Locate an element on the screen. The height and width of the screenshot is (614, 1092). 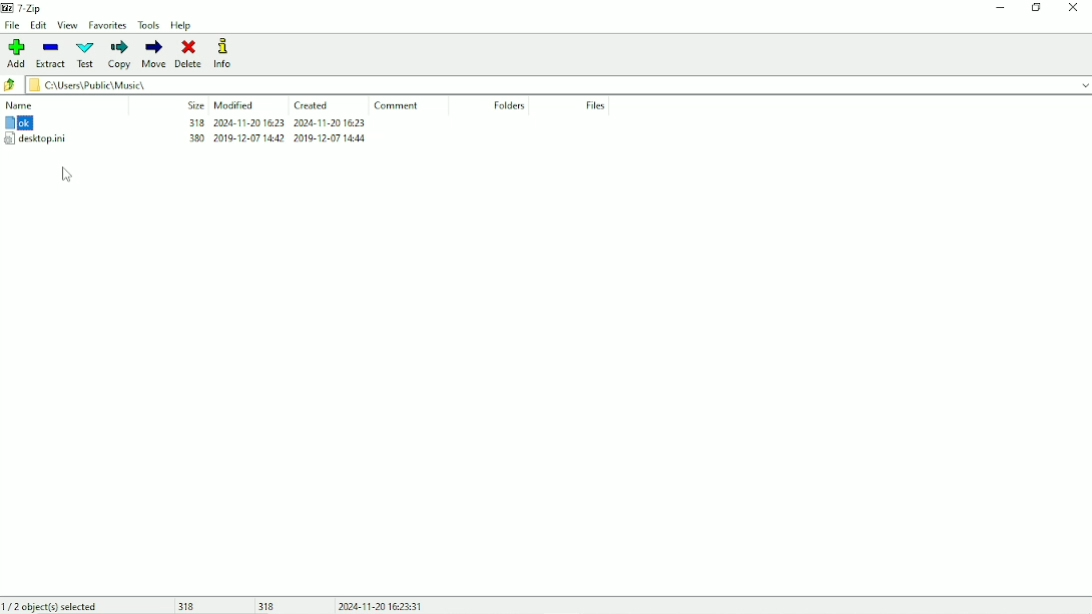
File is located at coordinates (13, 26).